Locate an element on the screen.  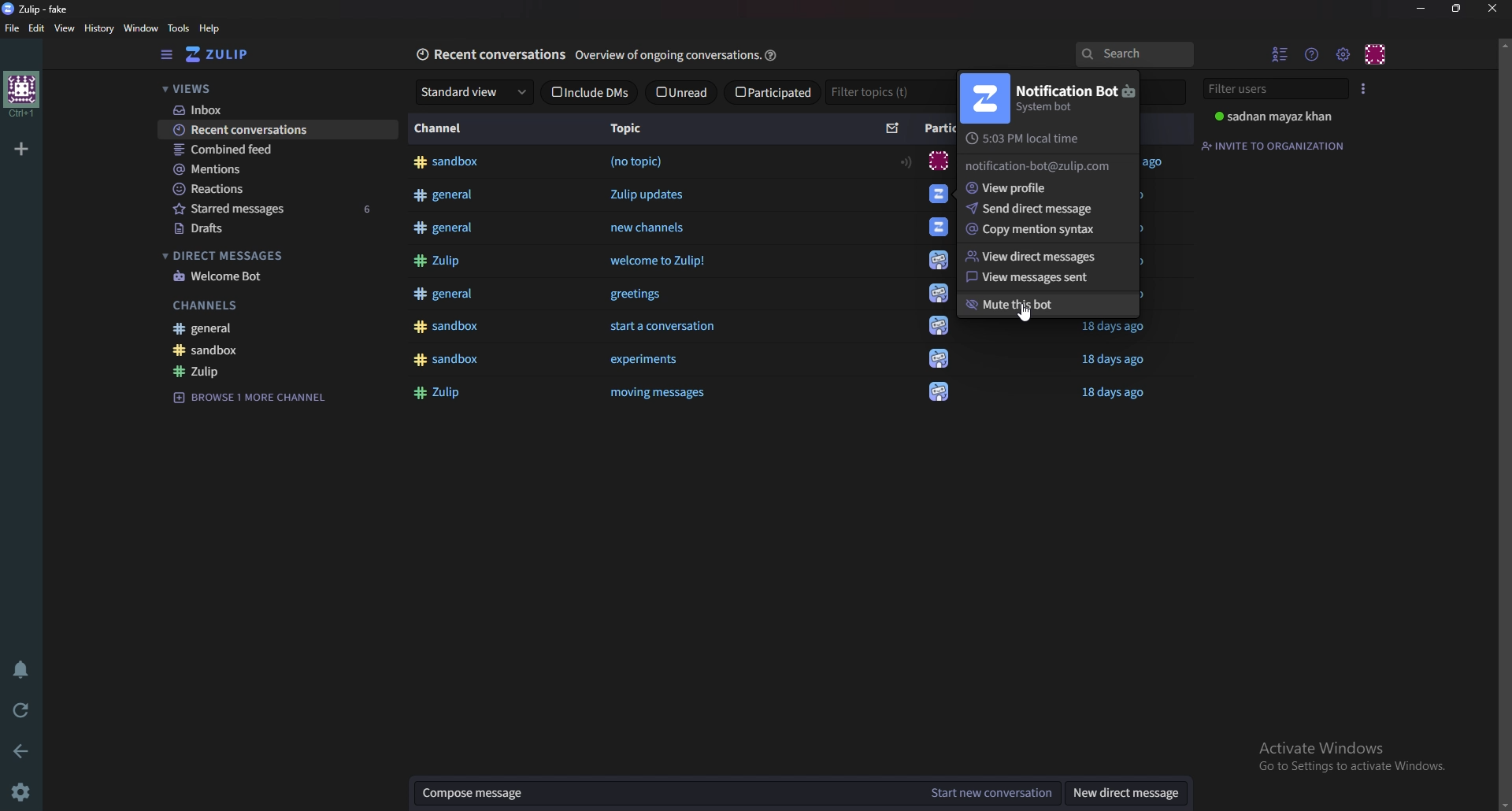
Hide user list is located at coordinates (1278, 55).